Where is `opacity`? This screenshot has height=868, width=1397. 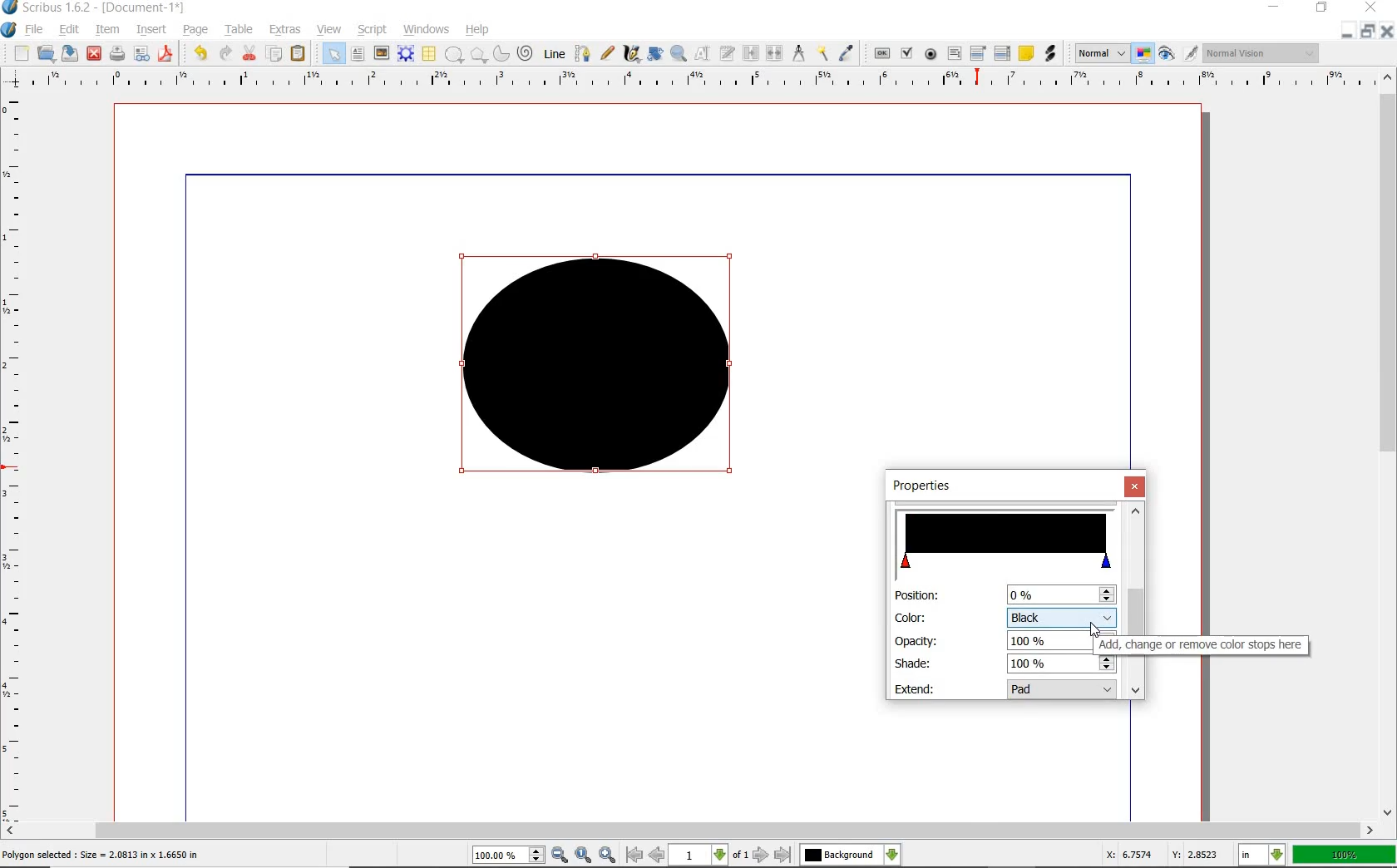 opacity is located at coordinates (918, 640).